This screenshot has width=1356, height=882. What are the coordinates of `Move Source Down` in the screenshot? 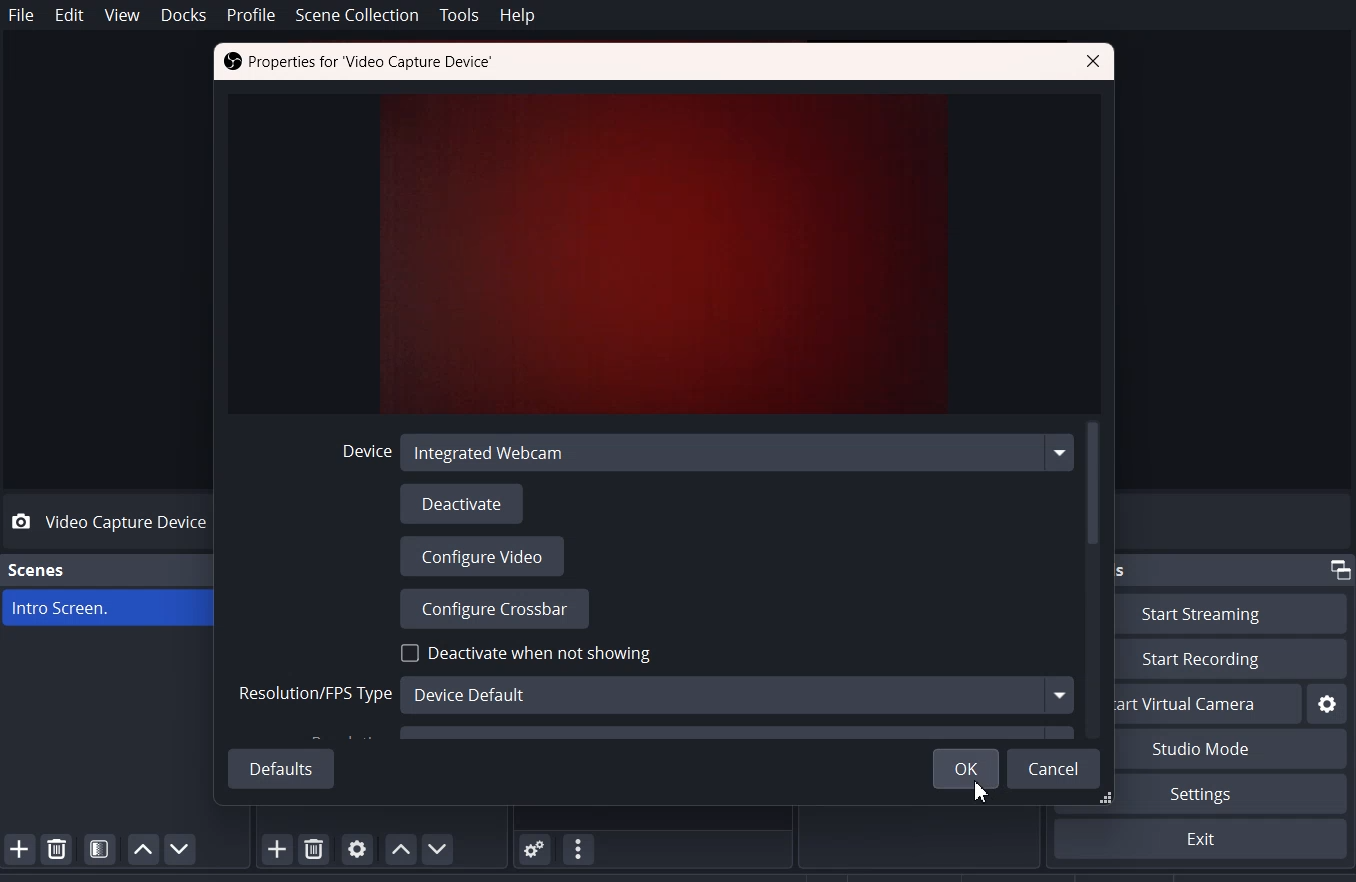 It's located at (440, 848).